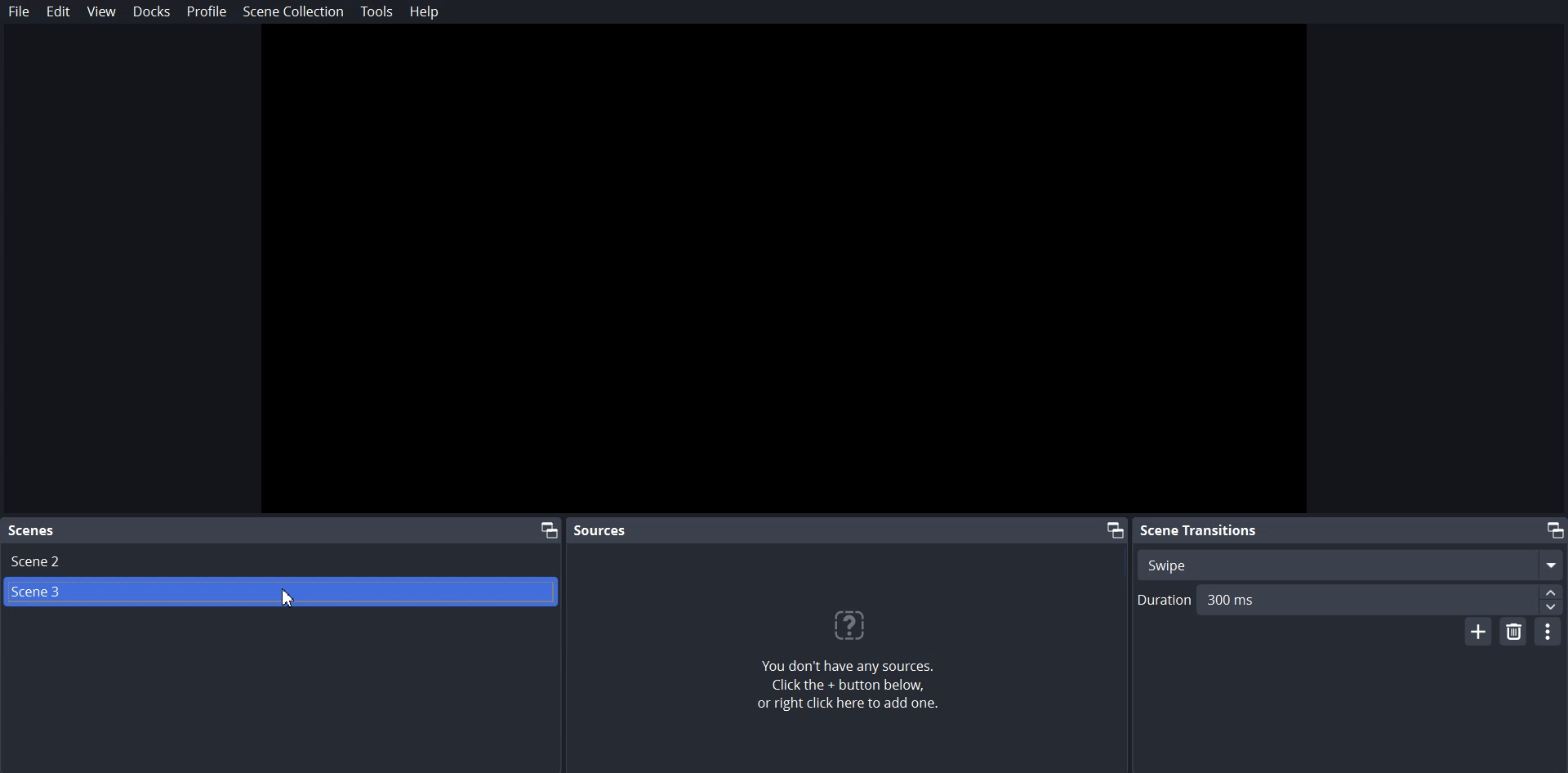 This screenshot has height=773, width=1568. Describe the element at coordinates (845, 531) in the screenshot. I see `Source` at that location.